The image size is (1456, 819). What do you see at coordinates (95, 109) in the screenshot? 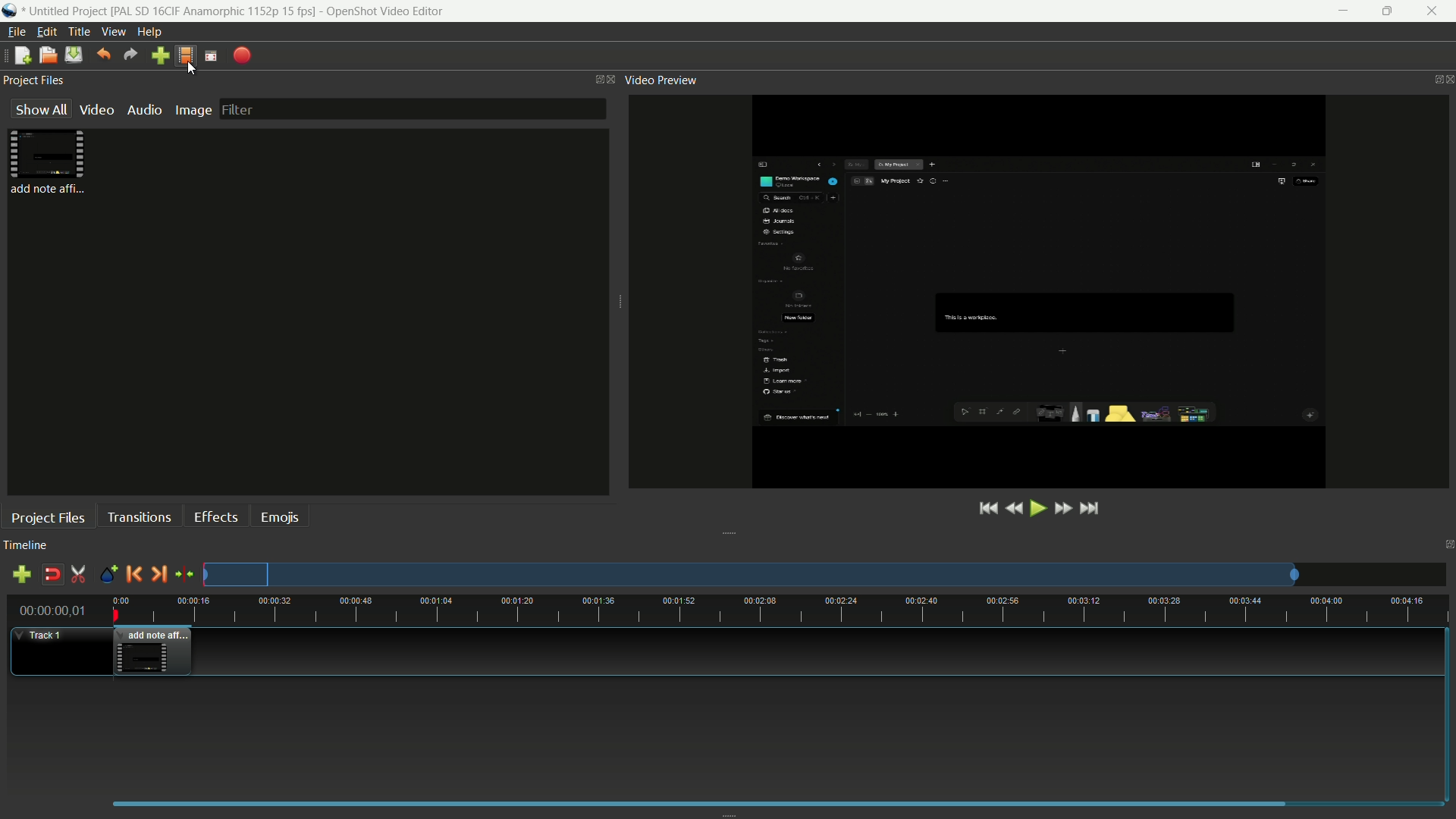
I see `video` at bounding box center [95, 109].